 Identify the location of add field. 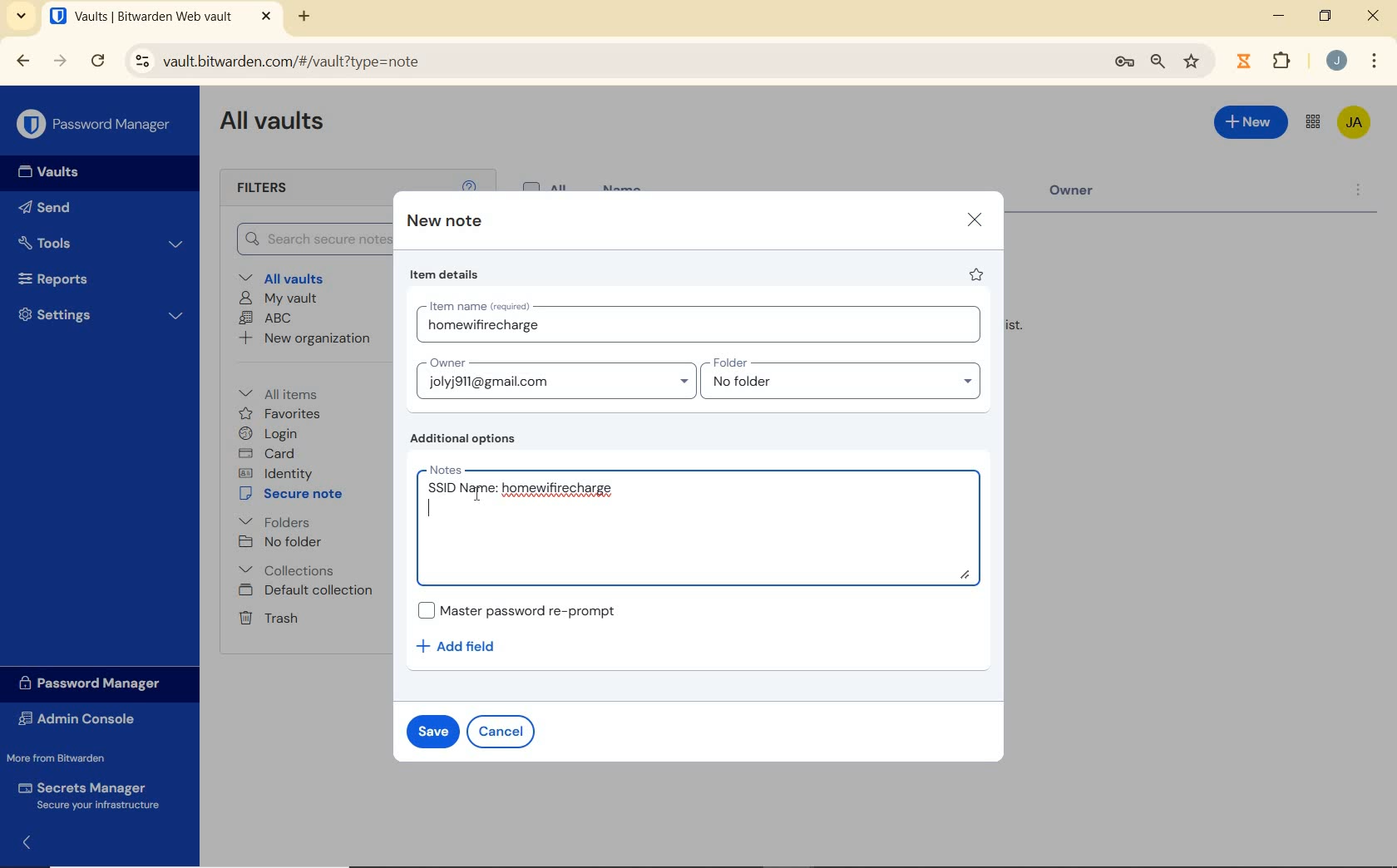
(467, 647).